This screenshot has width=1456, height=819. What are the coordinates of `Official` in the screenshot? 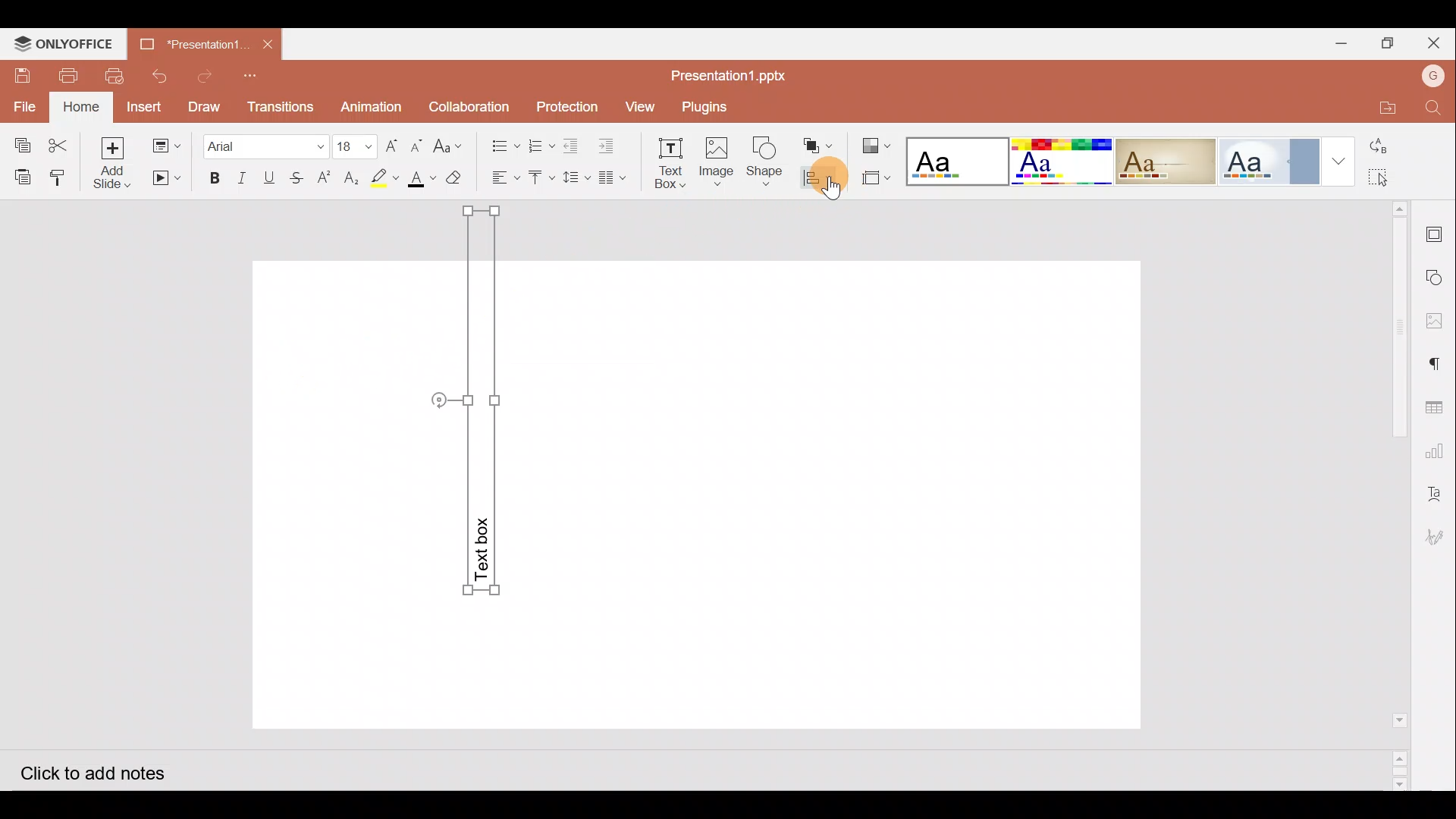 It's located at (1270, 160).